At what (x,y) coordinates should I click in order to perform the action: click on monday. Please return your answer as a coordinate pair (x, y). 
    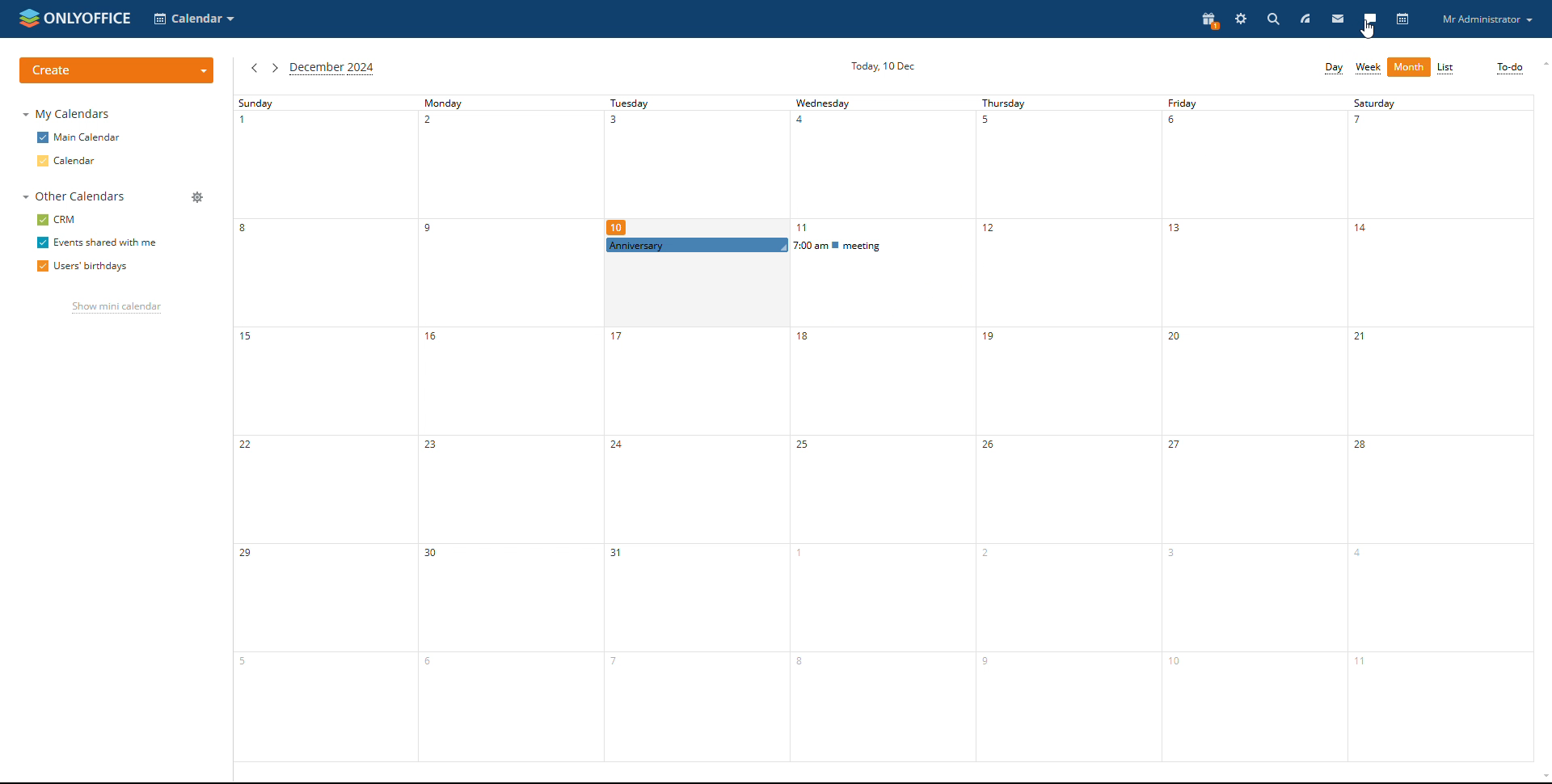
    Looking at the image, I should click on (511, 428).